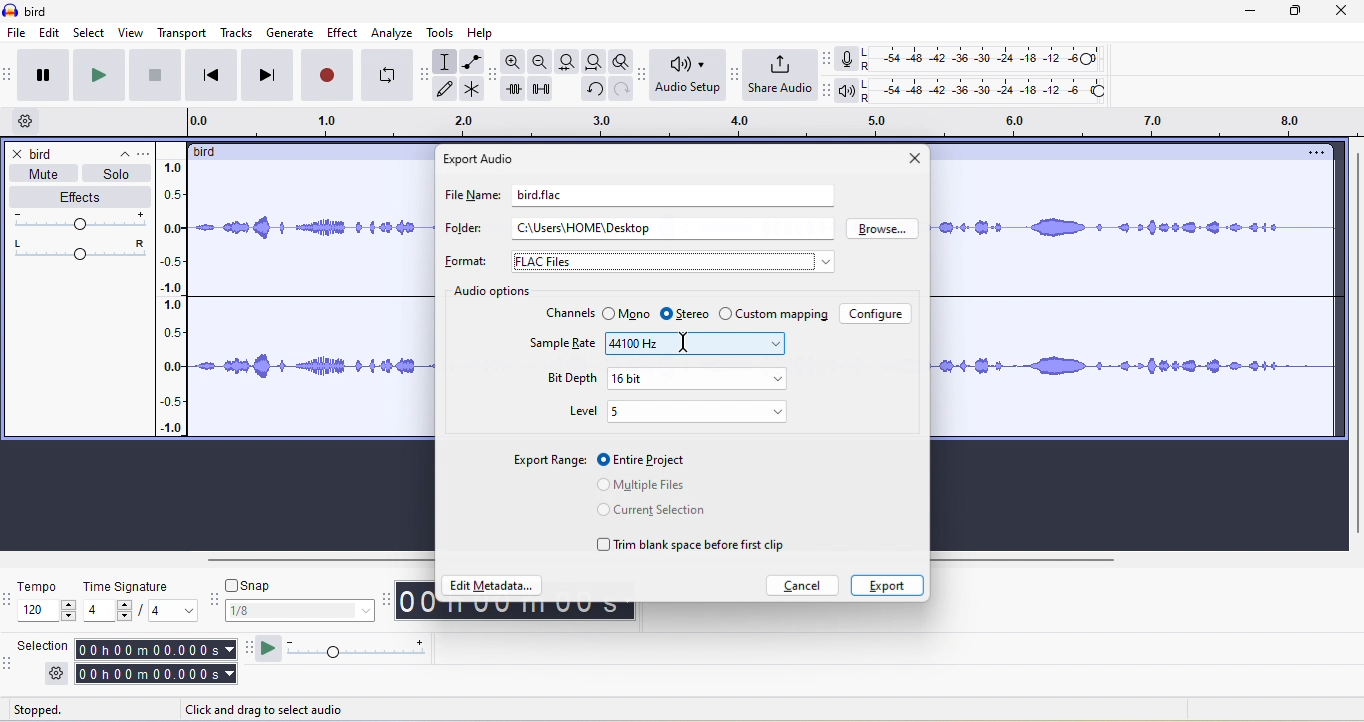 This screenshot has width=1364, height=722. I want to click on file name, so click(469, 199).